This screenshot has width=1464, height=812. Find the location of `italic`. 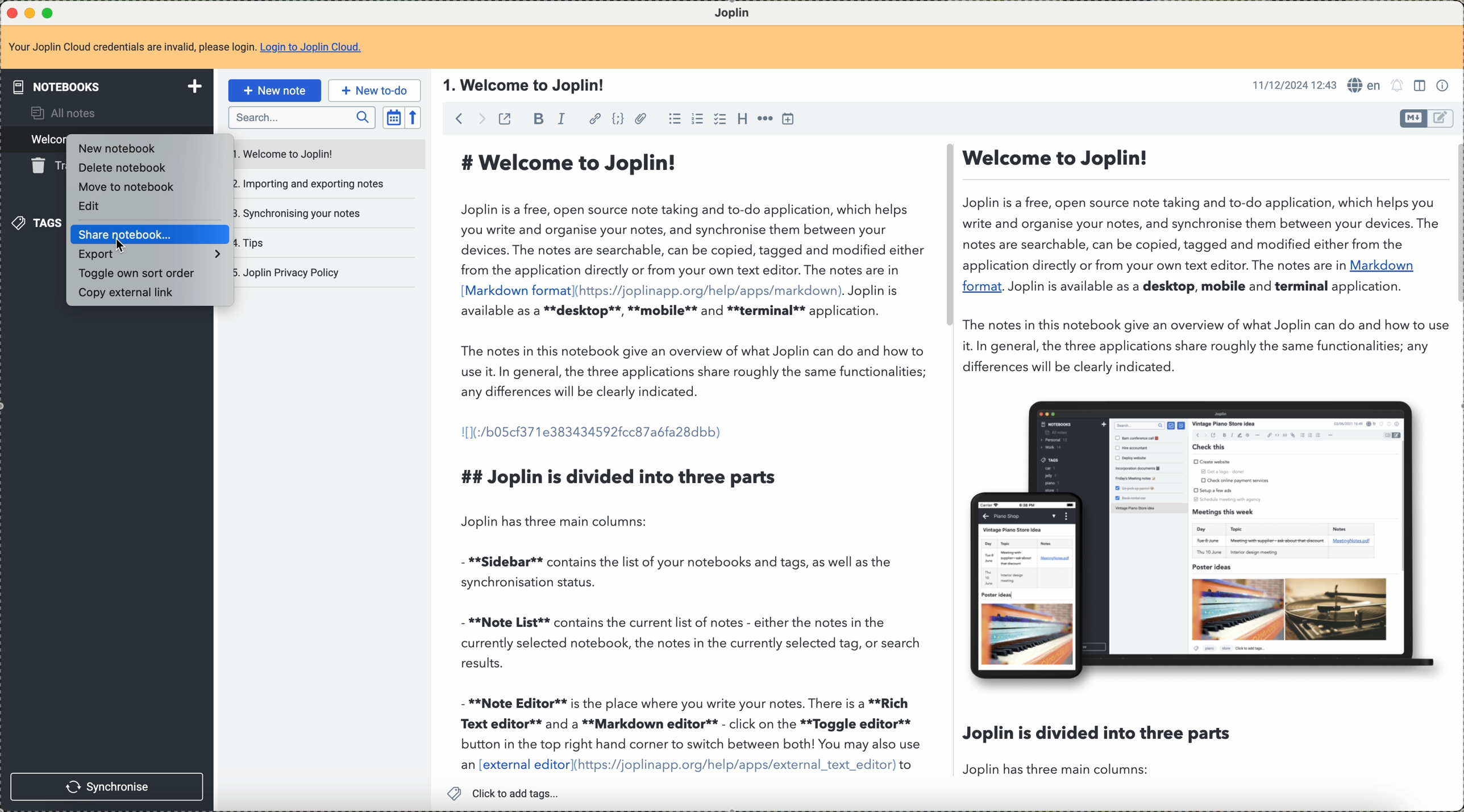

italic is located at coordinates (563, 119).